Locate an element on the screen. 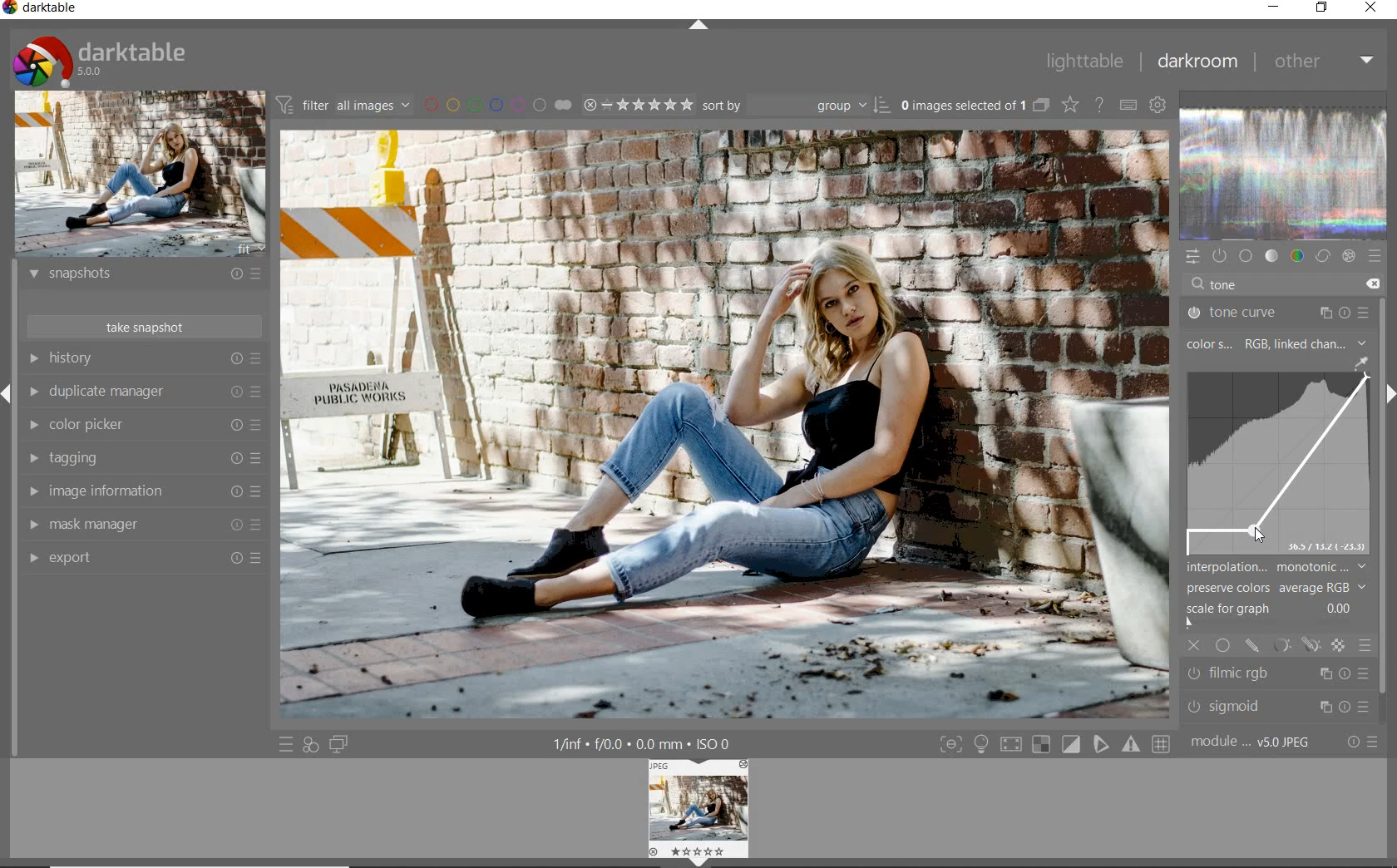  change overlays shown on thumbnails is located at coordinates (1069, 104).